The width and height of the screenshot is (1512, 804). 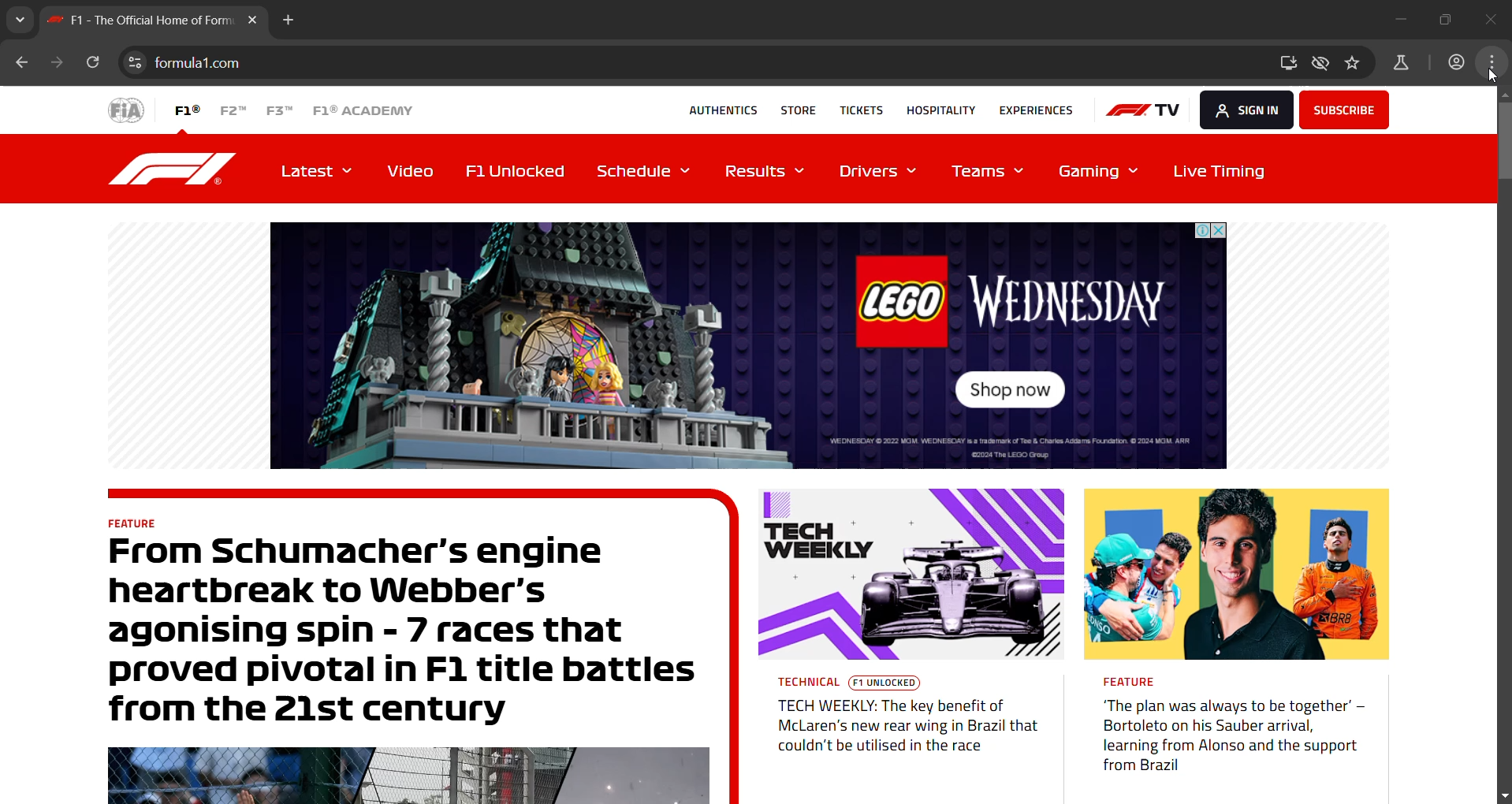 I want to click on click to go forward, so click(x=54, y=65).